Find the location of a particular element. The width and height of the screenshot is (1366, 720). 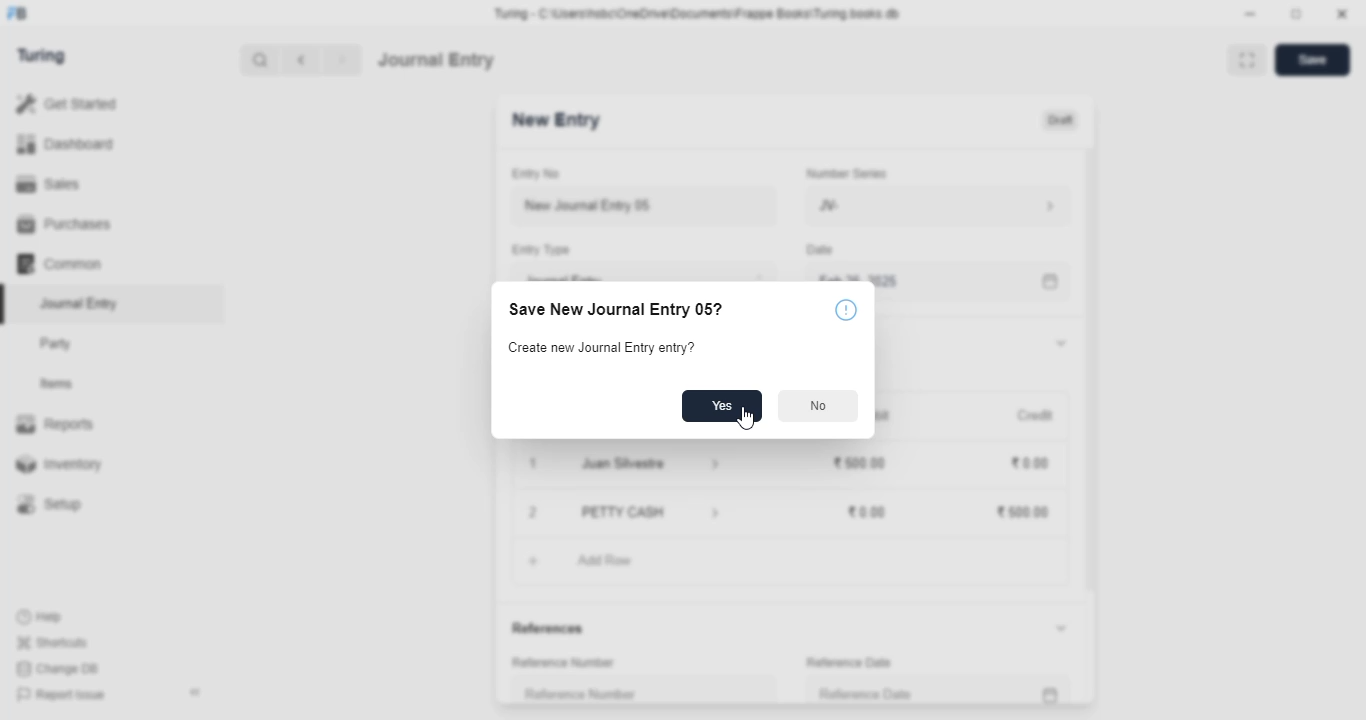

Feb 26, 2025 is located at coordinates (895, 272).